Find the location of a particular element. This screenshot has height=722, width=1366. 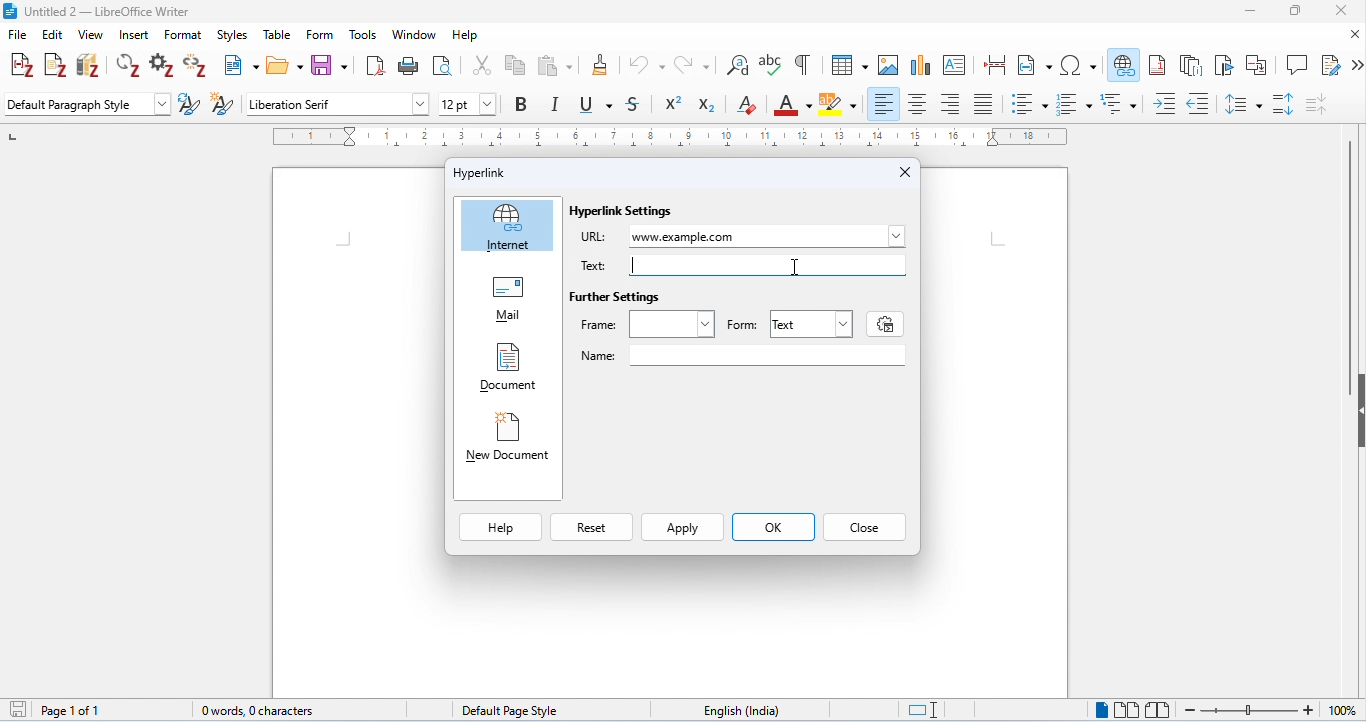

Internet is located at coordinates (509, 224).